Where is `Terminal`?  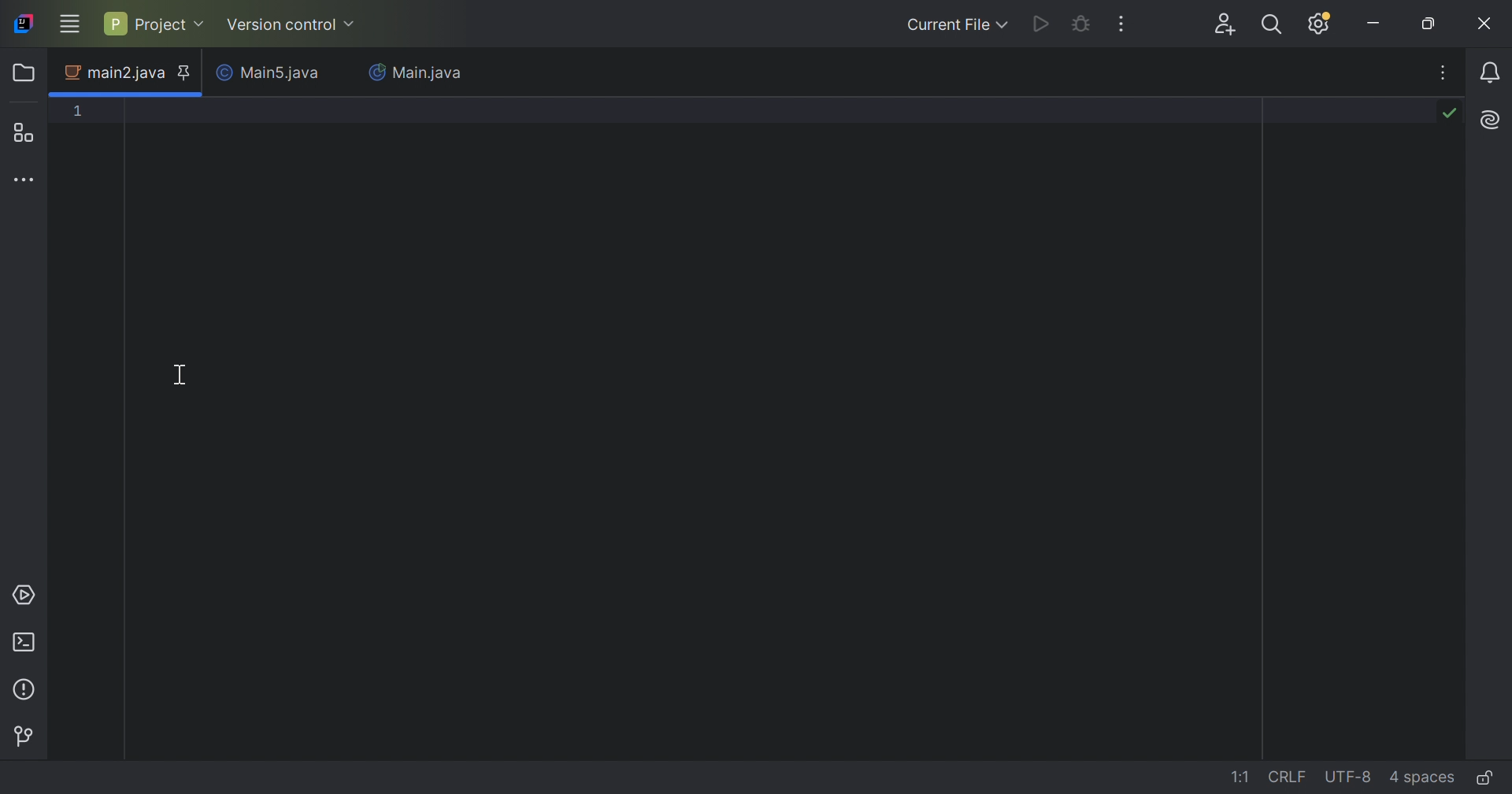
Terminal is located at coordinates (26, 644).